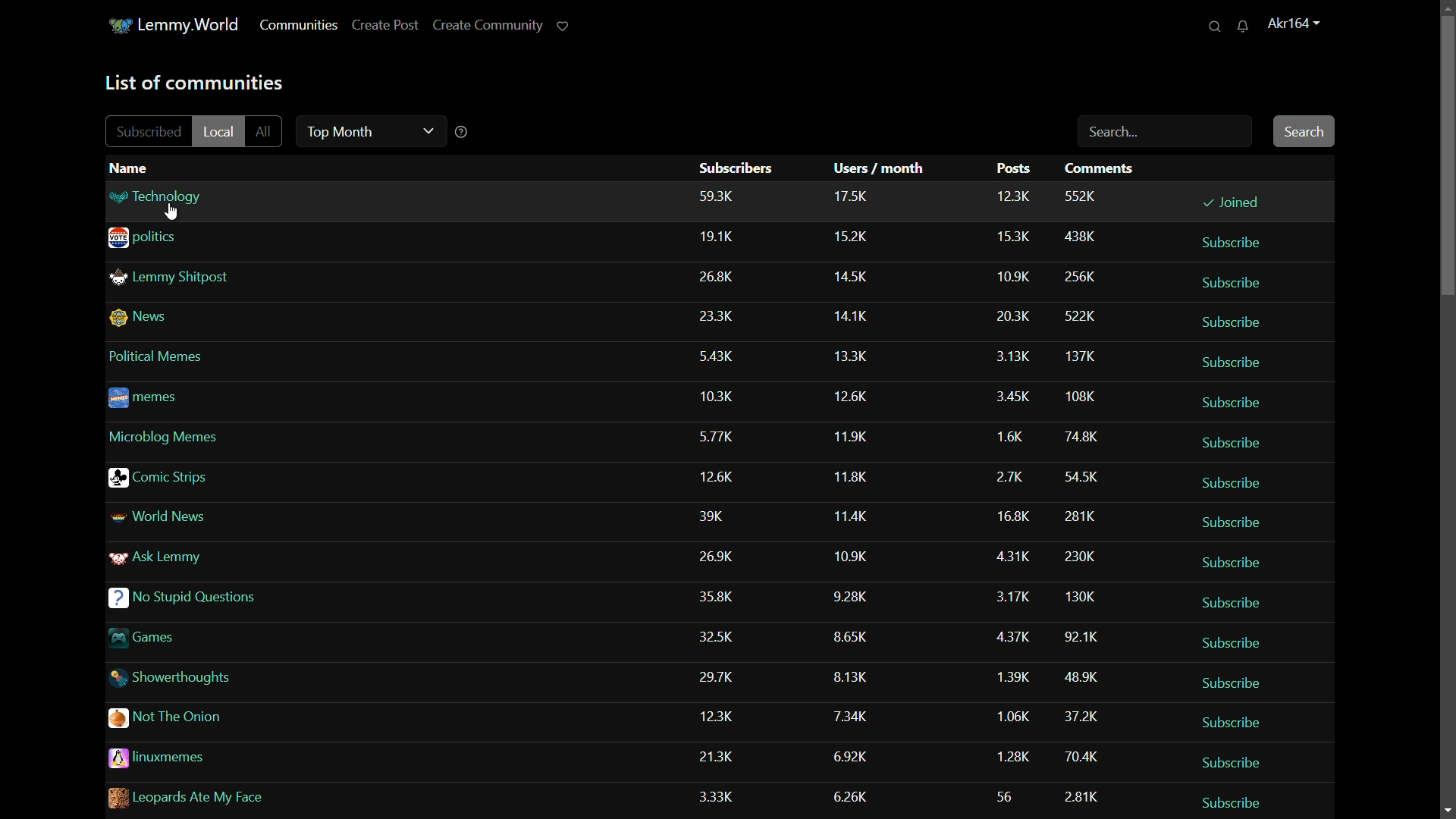 The height and width of the screenshot is (819, 1456). What do you see at coordinates (1162, 134) in the screenshot?
I see `search bar` at bounding box center [1162, 134].